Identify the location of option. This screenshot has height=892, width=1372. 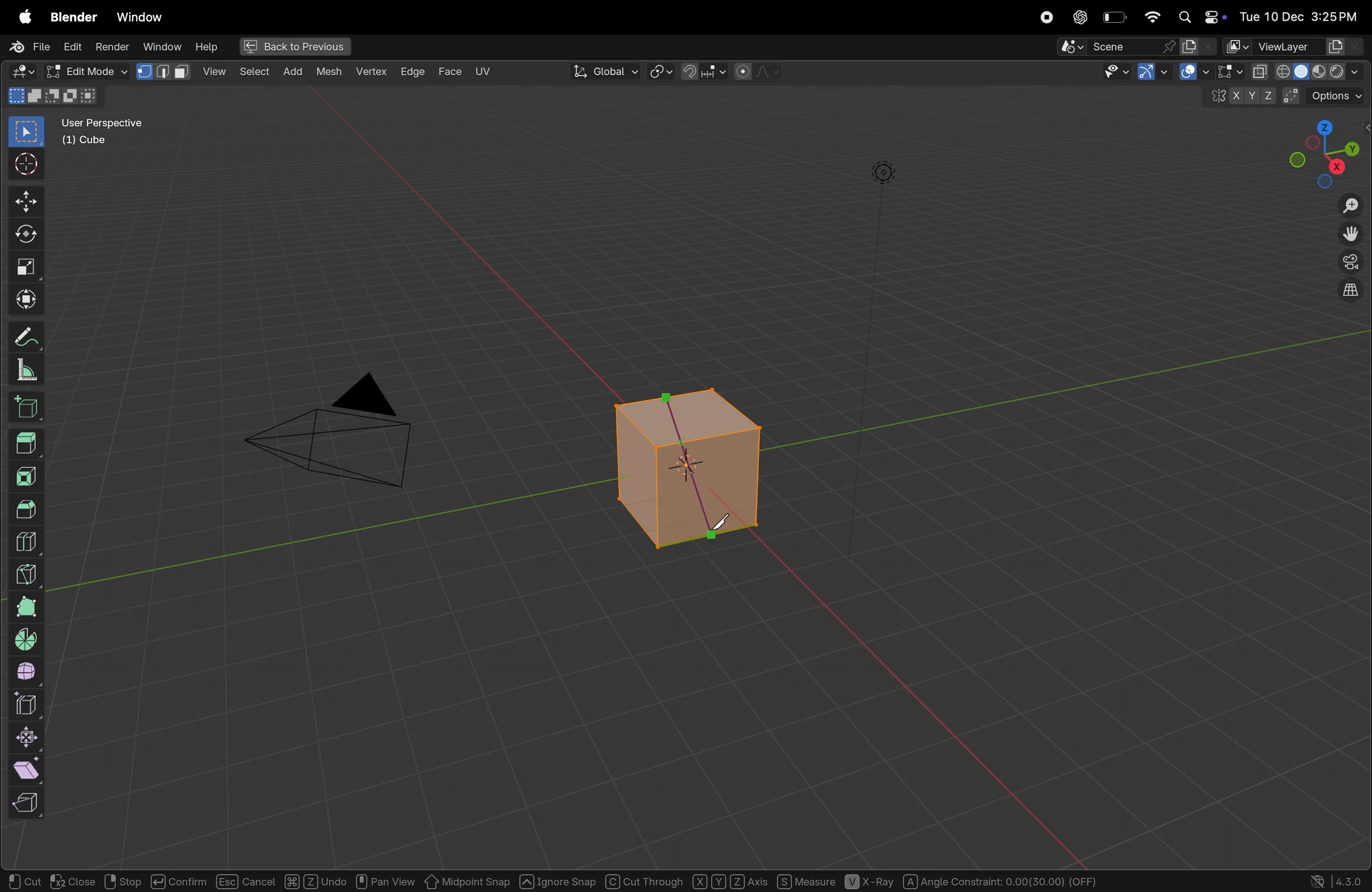
(1328, 95).